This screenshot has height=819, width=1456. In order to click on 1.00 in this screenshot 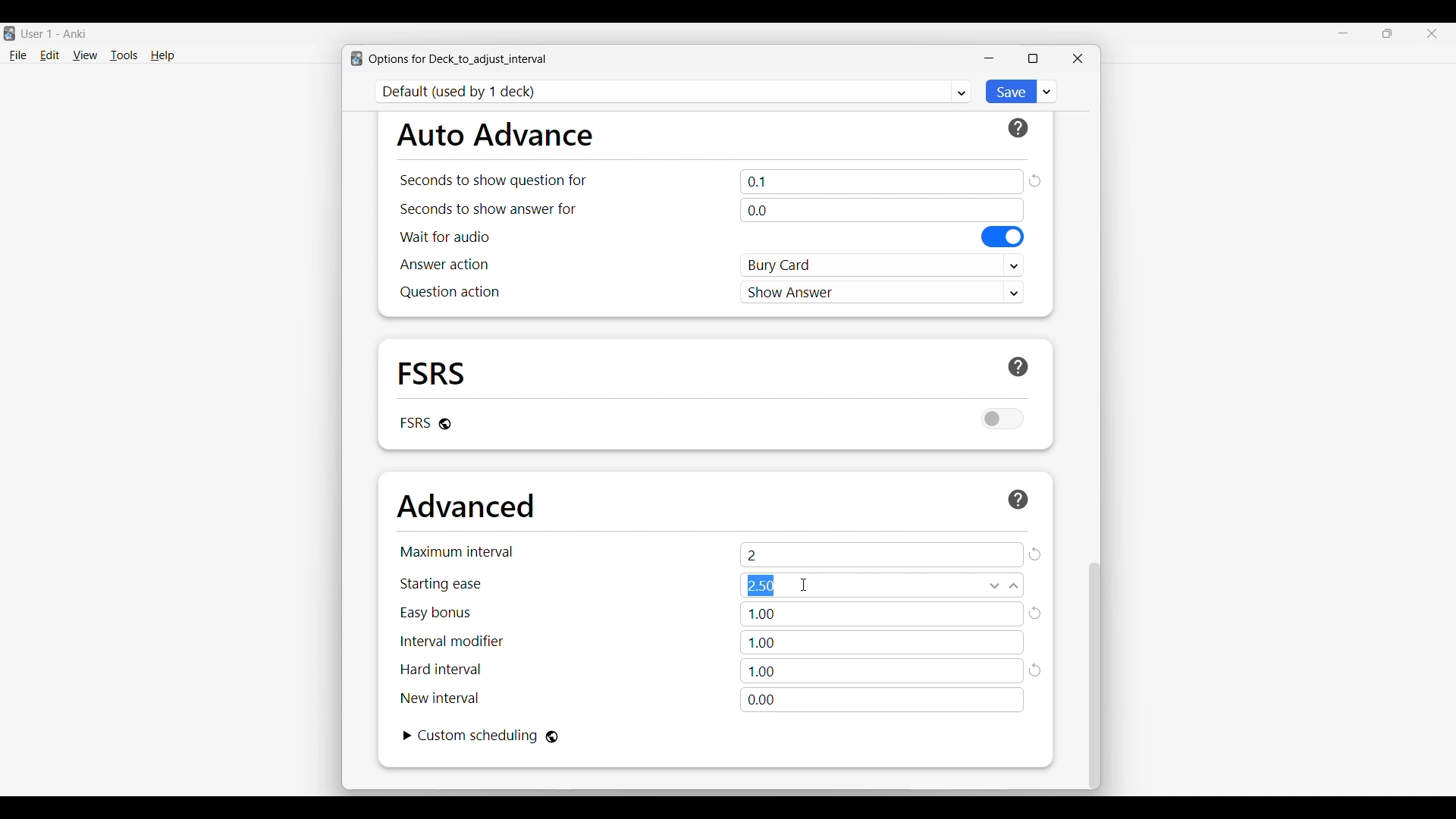, I will do `click(882, 671)`.